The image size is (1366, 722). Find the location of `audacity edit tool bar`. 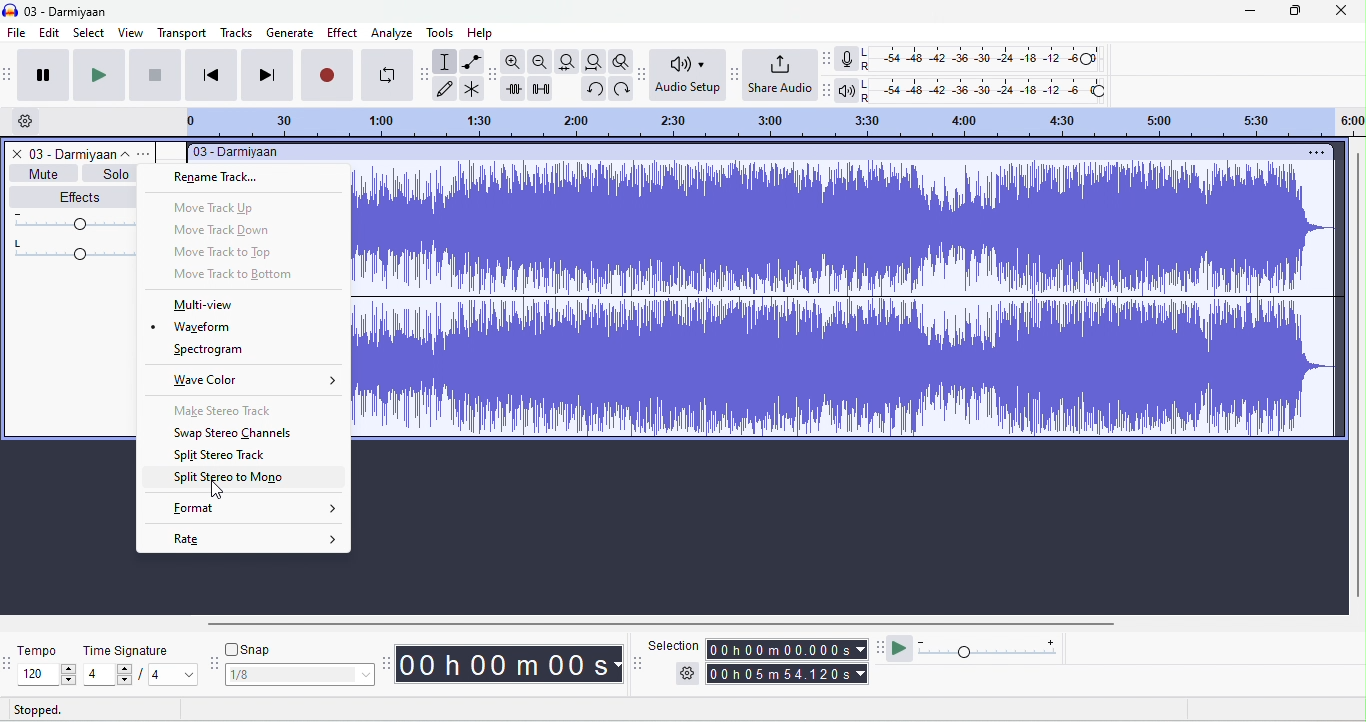

audacity edit tool bar is located at coordinates (495, 76).